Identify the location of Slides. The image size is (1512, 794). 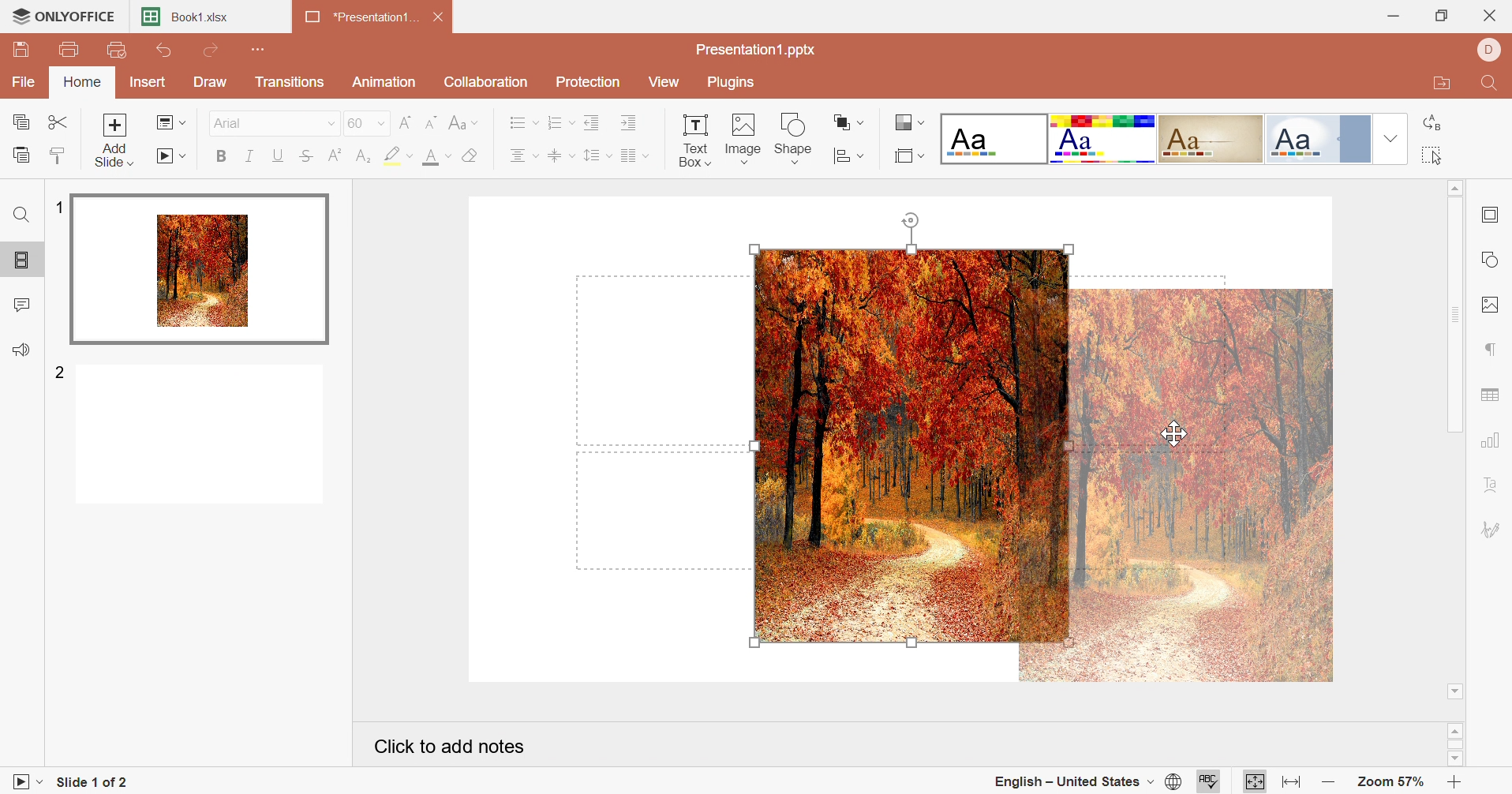
(22, 261).